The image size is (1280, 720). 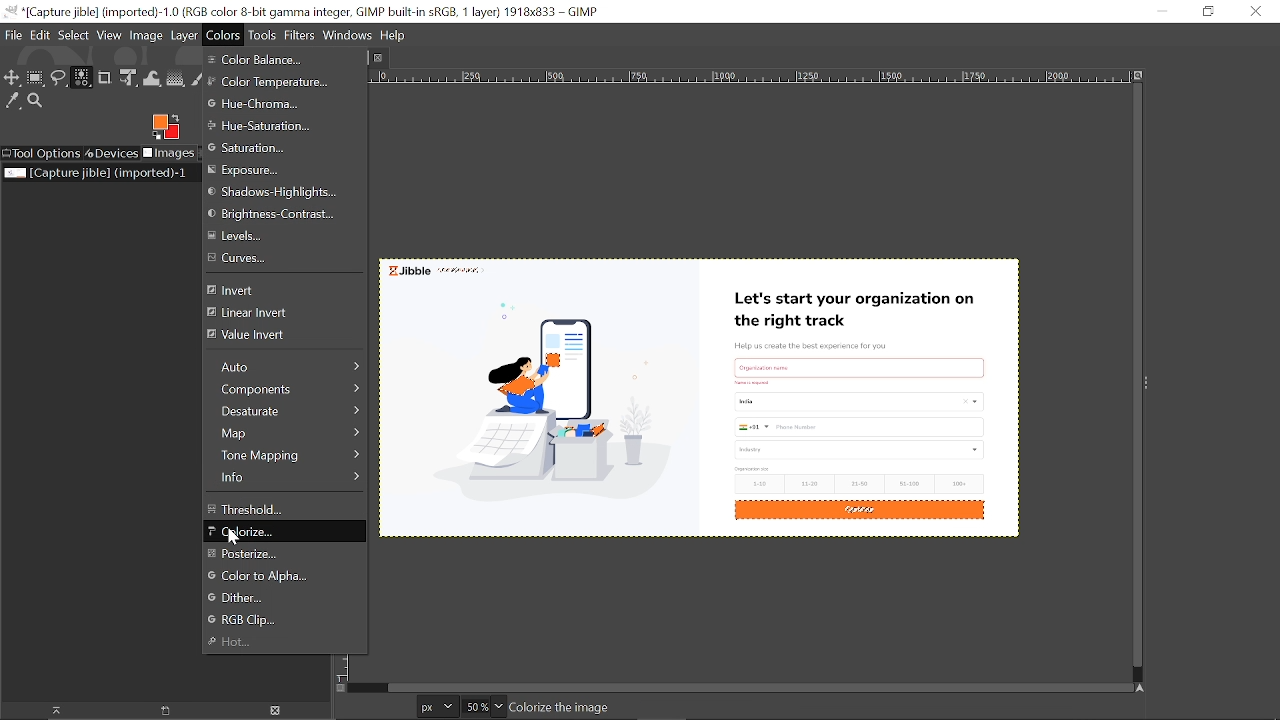 I want to click on Hue chroma, so click(x=263, y=104).